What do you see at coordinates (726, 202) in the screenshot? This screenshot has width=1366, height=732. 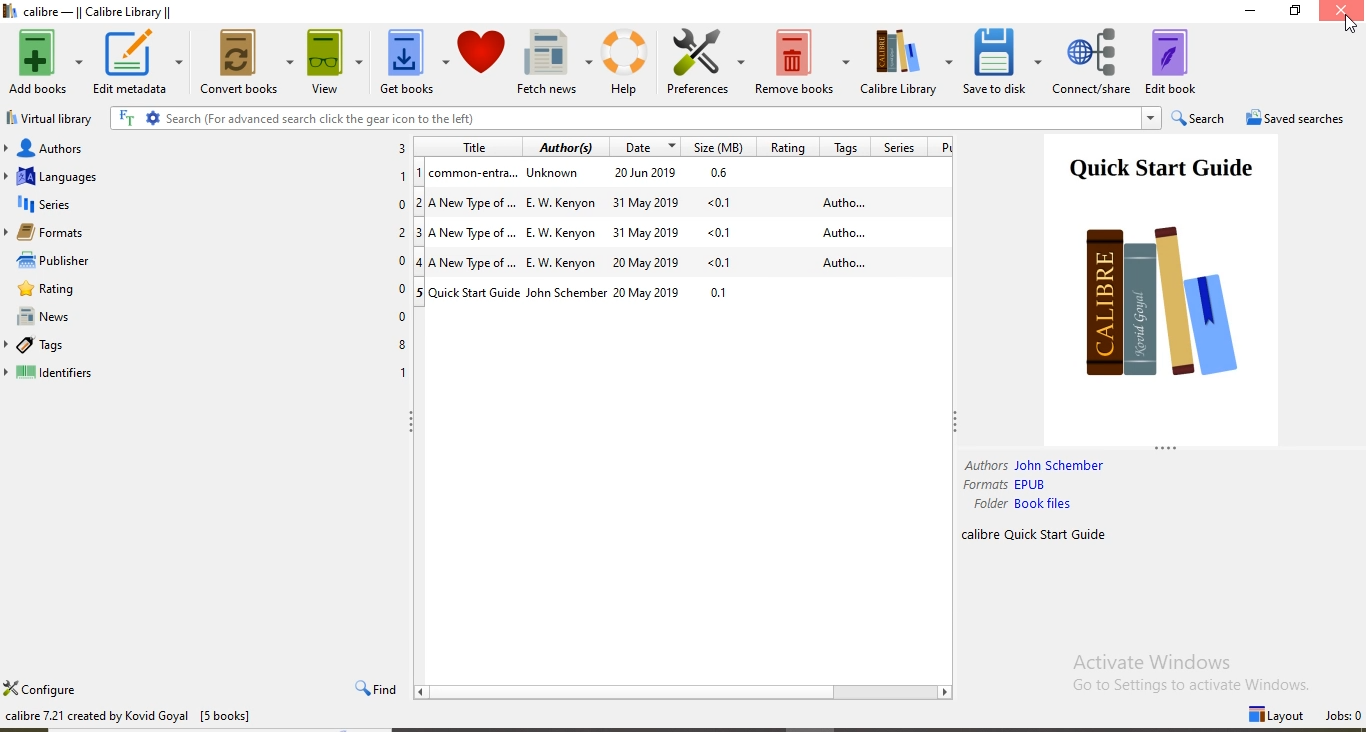 I see `<0.1` at bounding box center [726, 202].